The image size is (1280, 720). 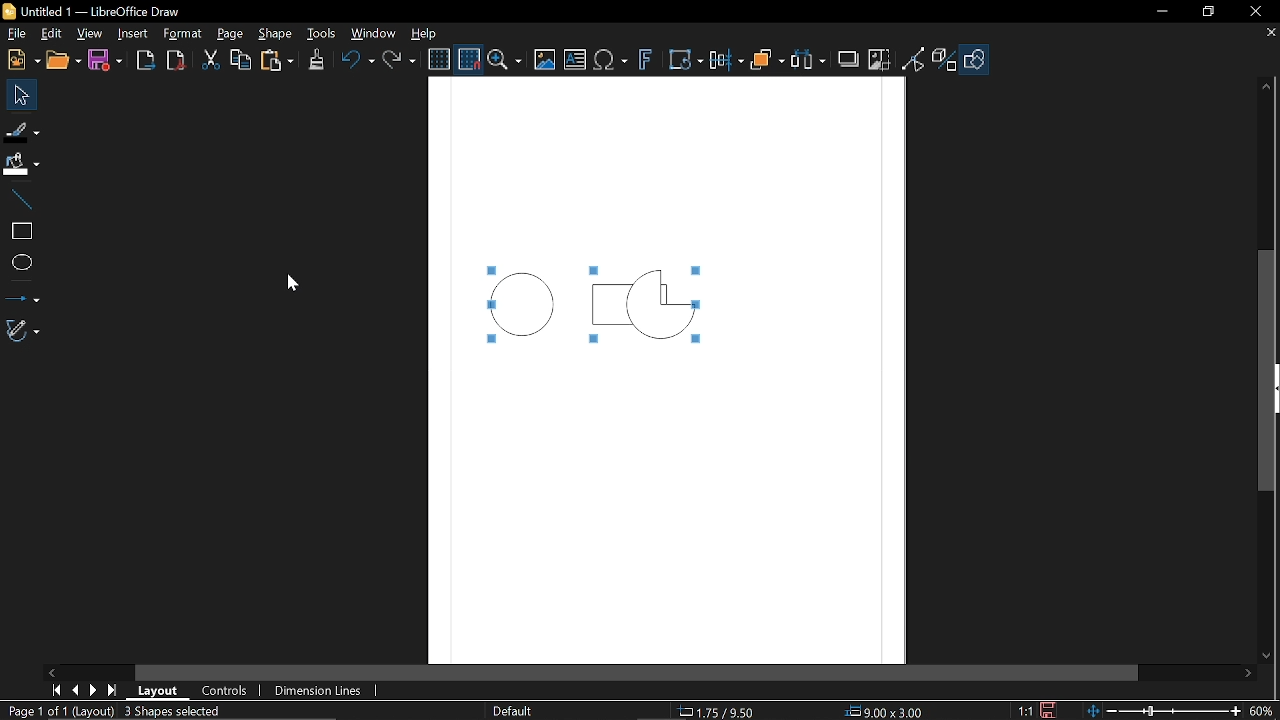 I want to click on Tiny square marked around the selected objects, so click(x=491, y=267).